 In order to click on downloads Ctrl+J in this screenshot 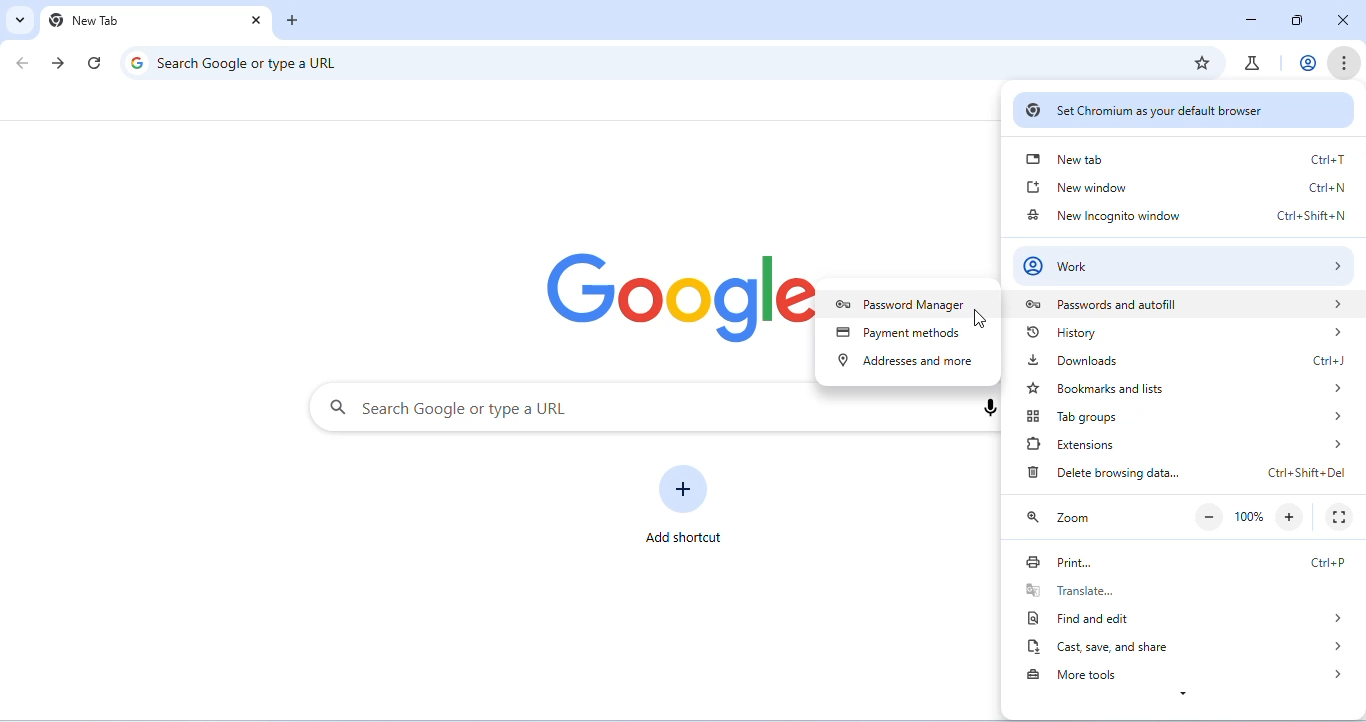, I will do `click(1184, 362)`.